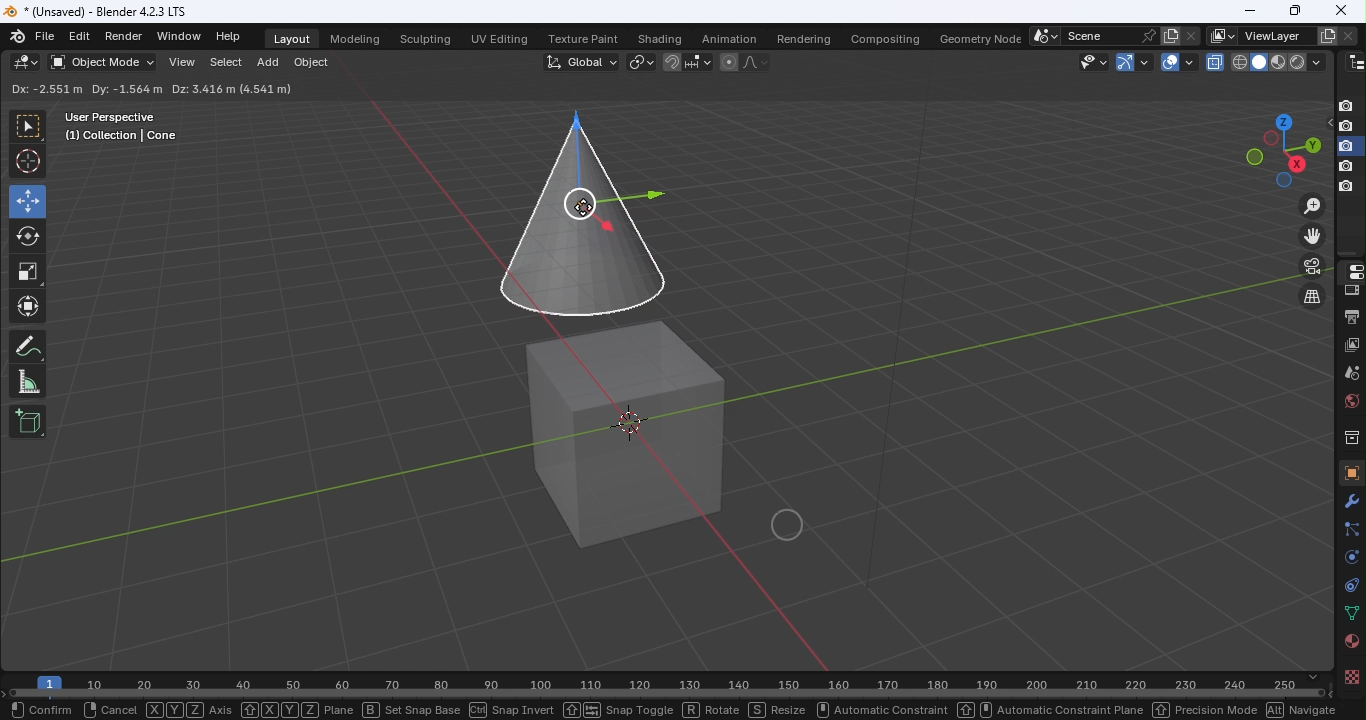 The image size is (1366, 720). What do you see at coordinates (1310, 144) in the screenshot?
I see `Rotate the view` at bounding box center [1310, 144].